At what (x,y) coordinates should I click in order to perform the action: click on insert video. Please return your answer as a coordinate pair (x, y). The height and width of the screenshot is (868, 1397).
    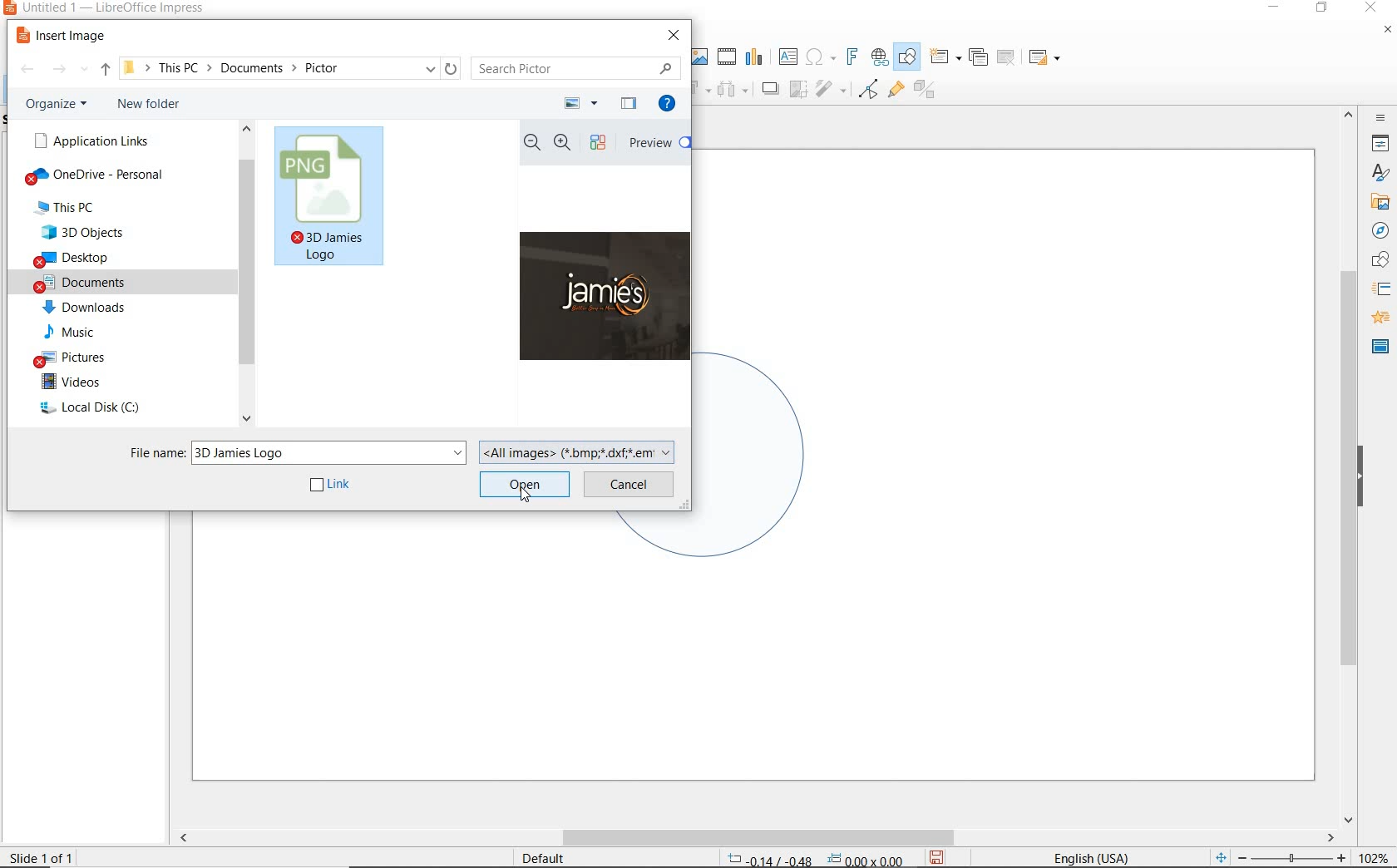
    Looking at the image, I should click on (725, 56).